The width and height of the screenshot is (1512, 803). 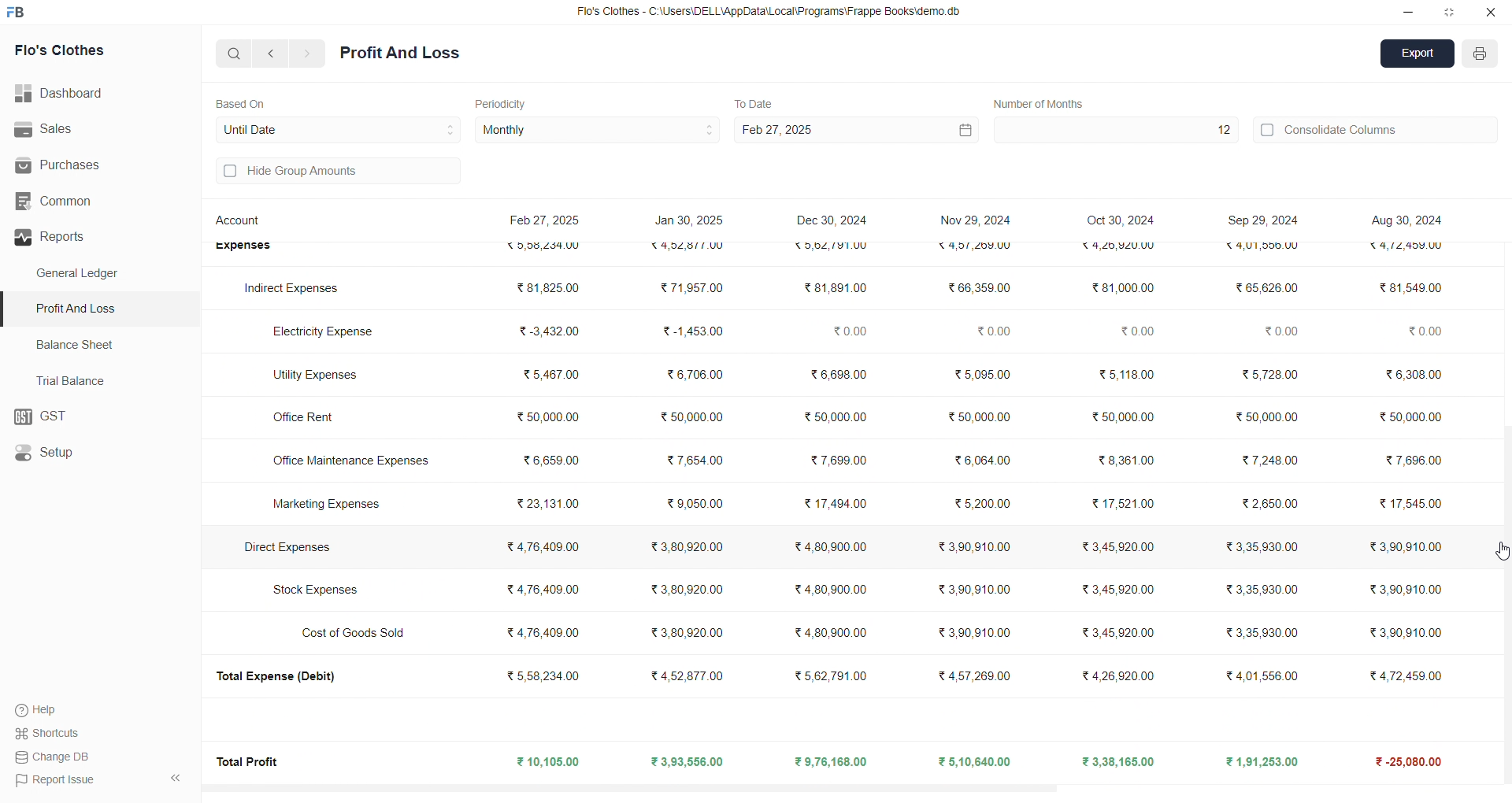 I want to click on ₹4,26,920.00, so click(x=1118, y=674).